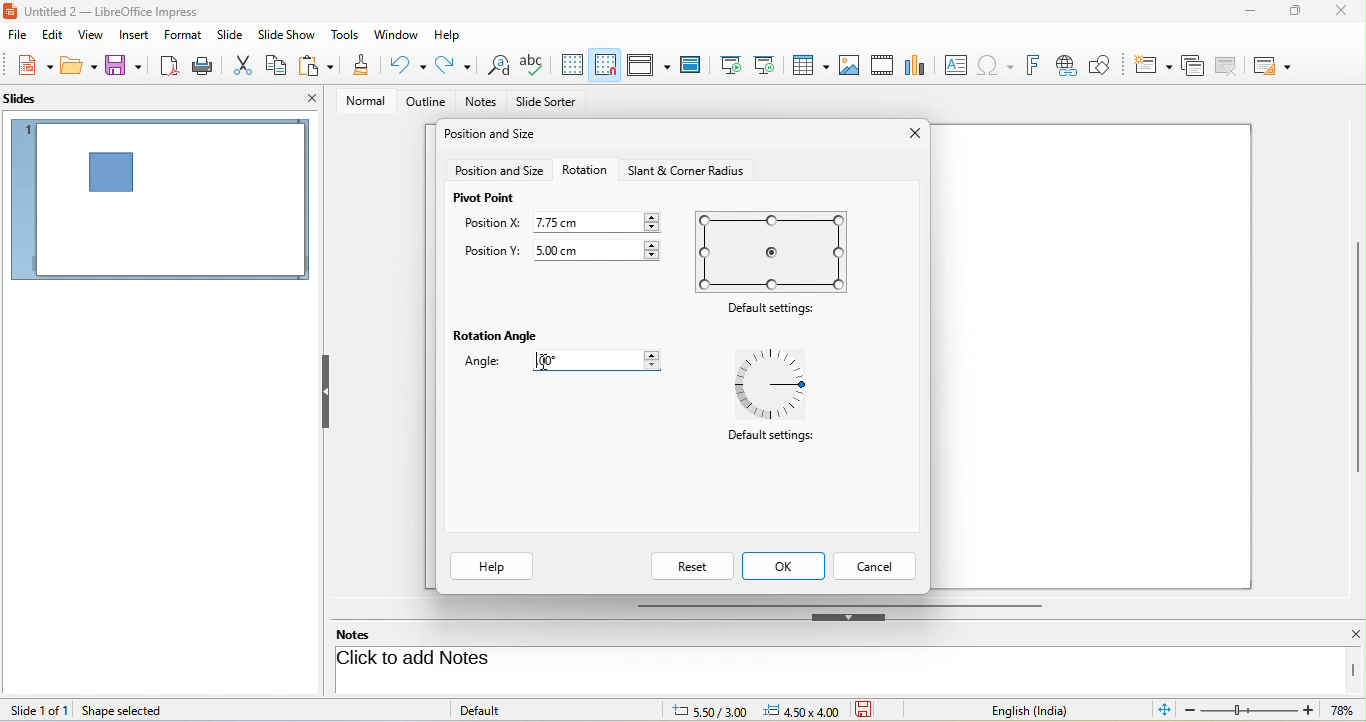 This screenshot has height=722, width=1366. What do you see at coordinates (396, 36) in the screenshot?
I see `window` at bounding box center [396, 36].